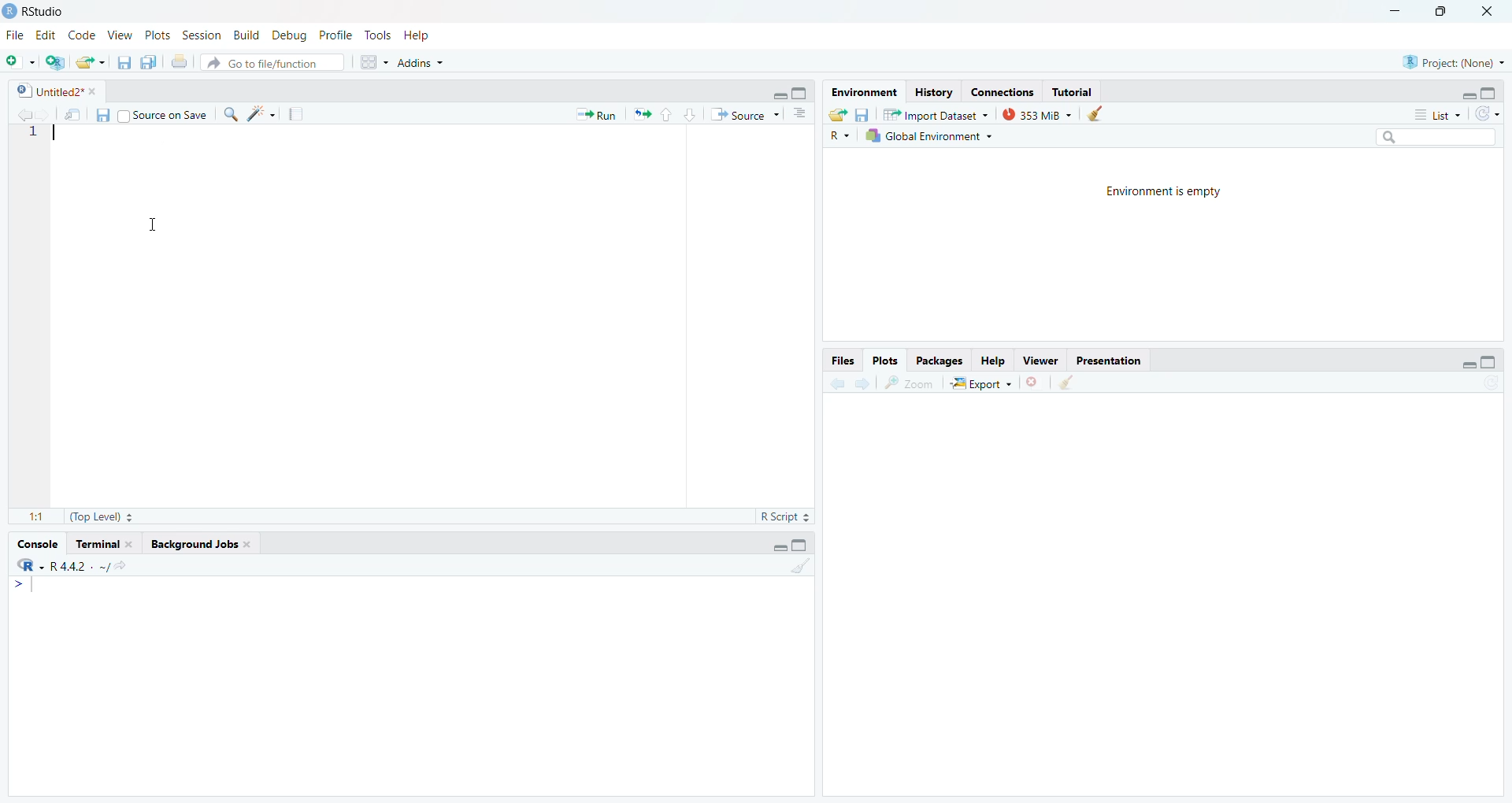  Describe the element at coordinates (376, 36) in the screenshot. I see ` Tools` at that location.